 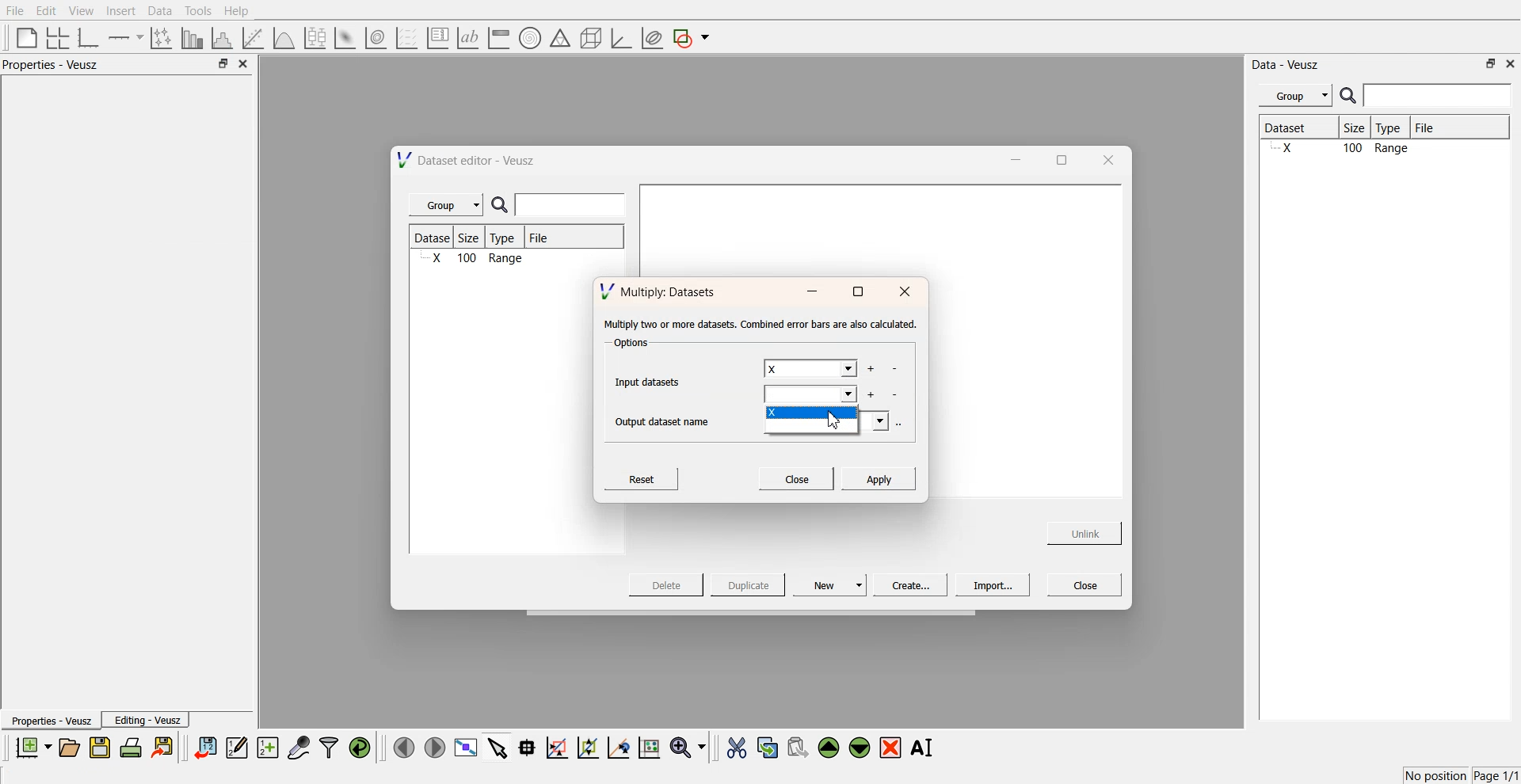 I want to click on zoom funtions, so click(x=688, y=748).